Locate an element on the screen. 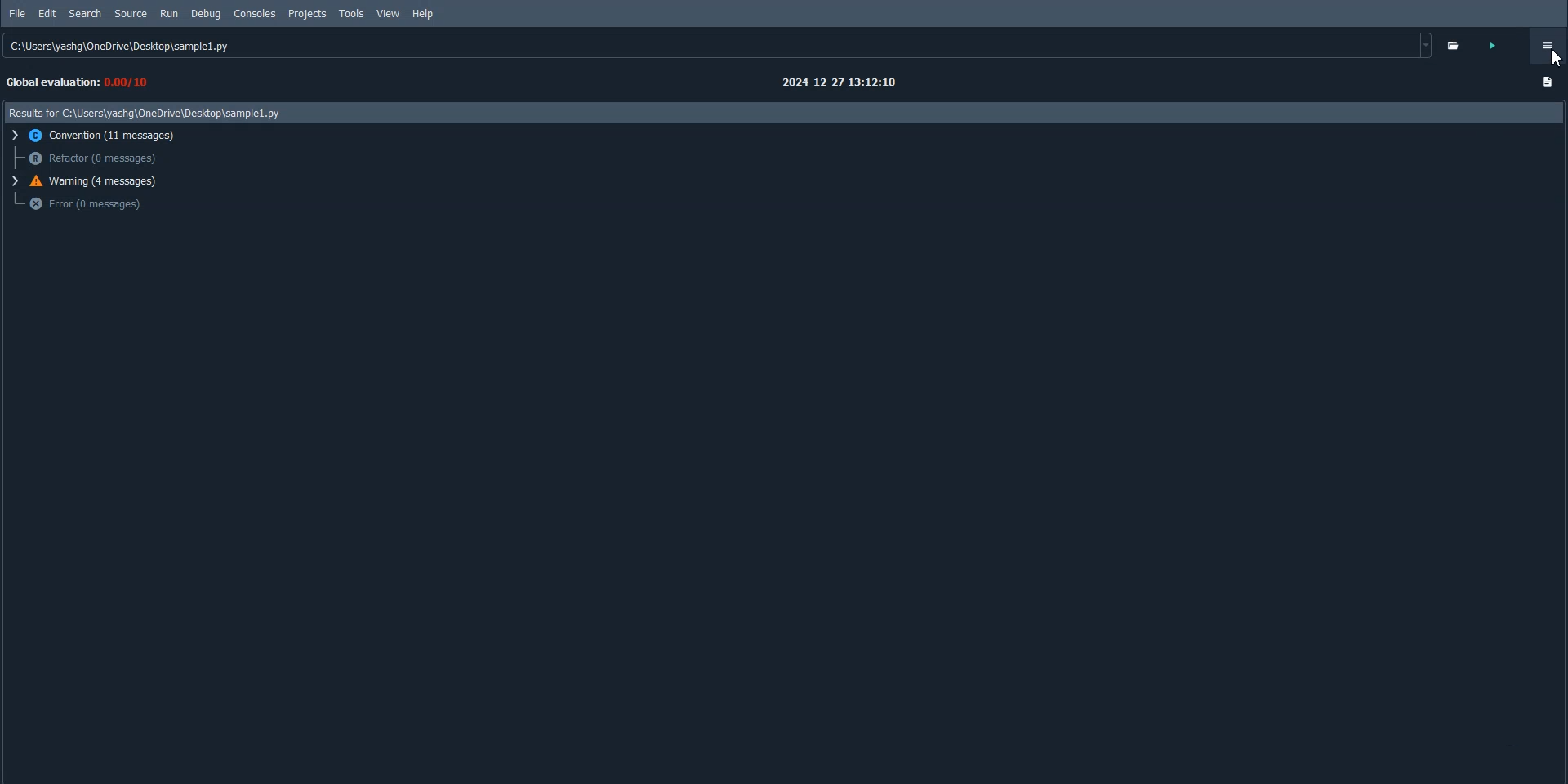 Image resolution: width=1568 pixels, height=784 pixels. Reactor is located at coordinates (91, 158).